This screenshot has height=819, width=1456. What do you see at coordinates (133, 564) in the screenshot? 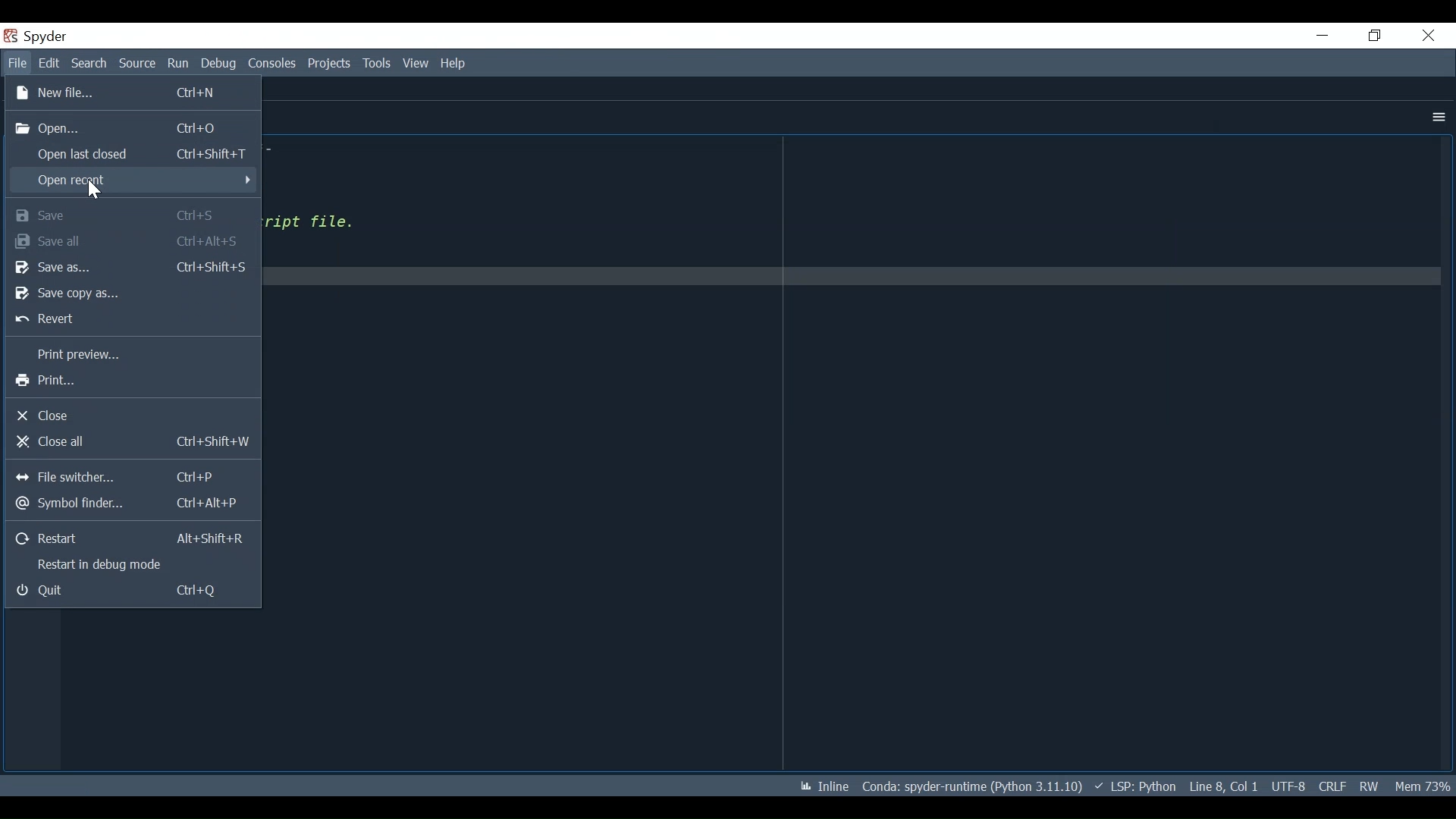
I see `Restart in debug mode` at bounding box center [133, 564].